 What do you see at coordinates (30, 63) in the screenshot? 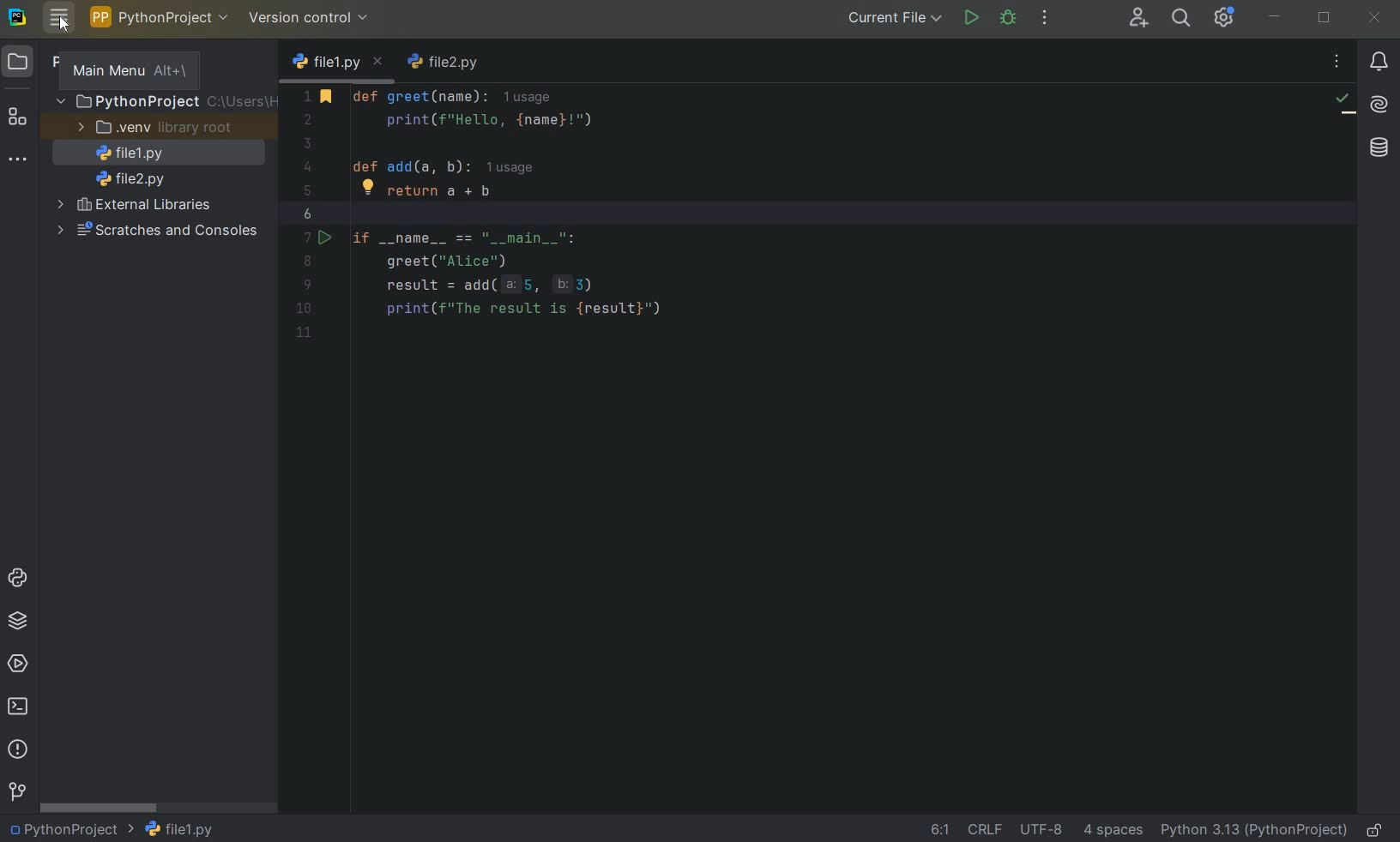
I see `Project icon` at bounding box center [30, 63].